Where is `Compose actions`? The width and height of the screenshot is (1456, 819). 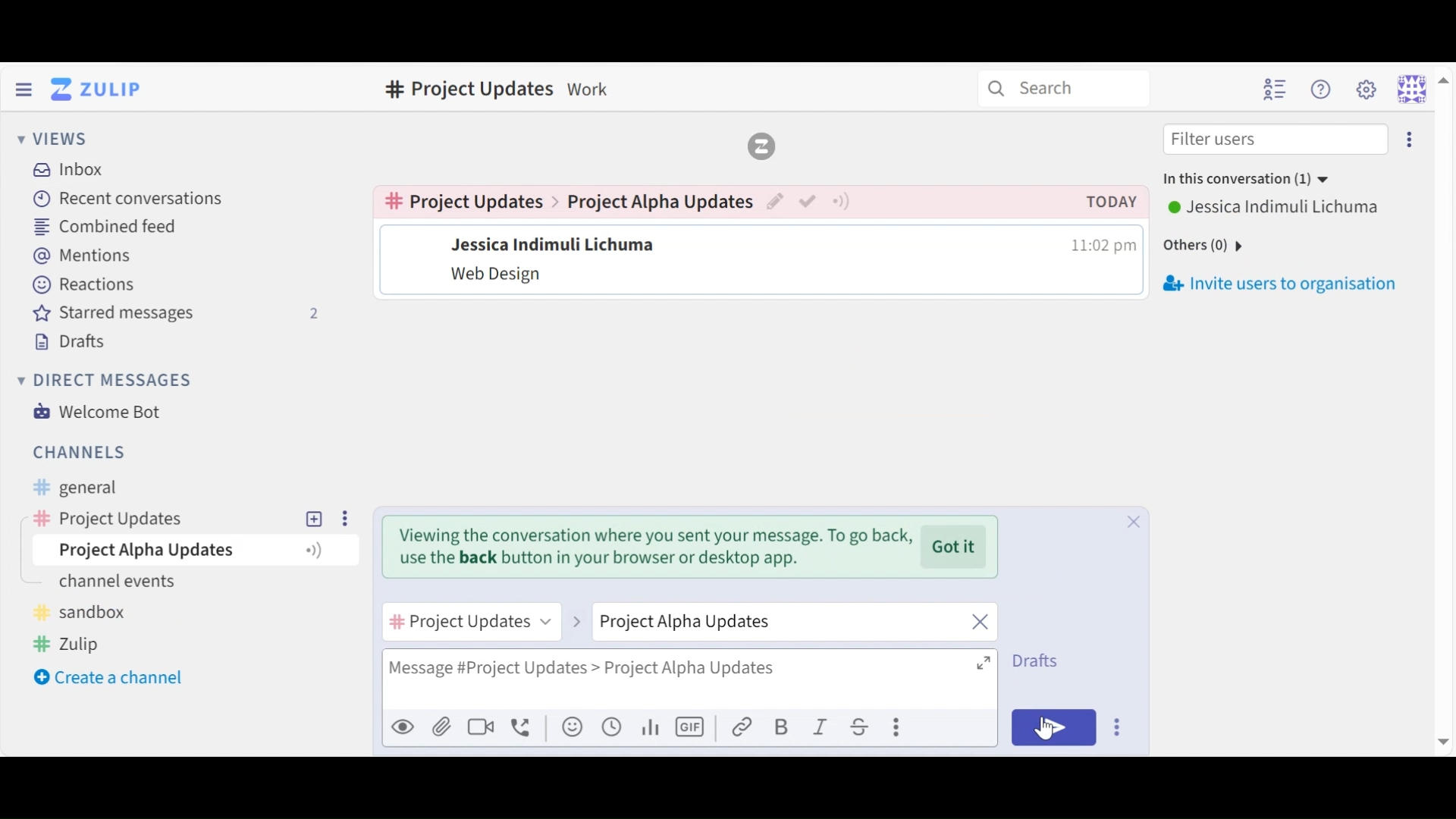
Compose actions is located at coordinates (898, 726).